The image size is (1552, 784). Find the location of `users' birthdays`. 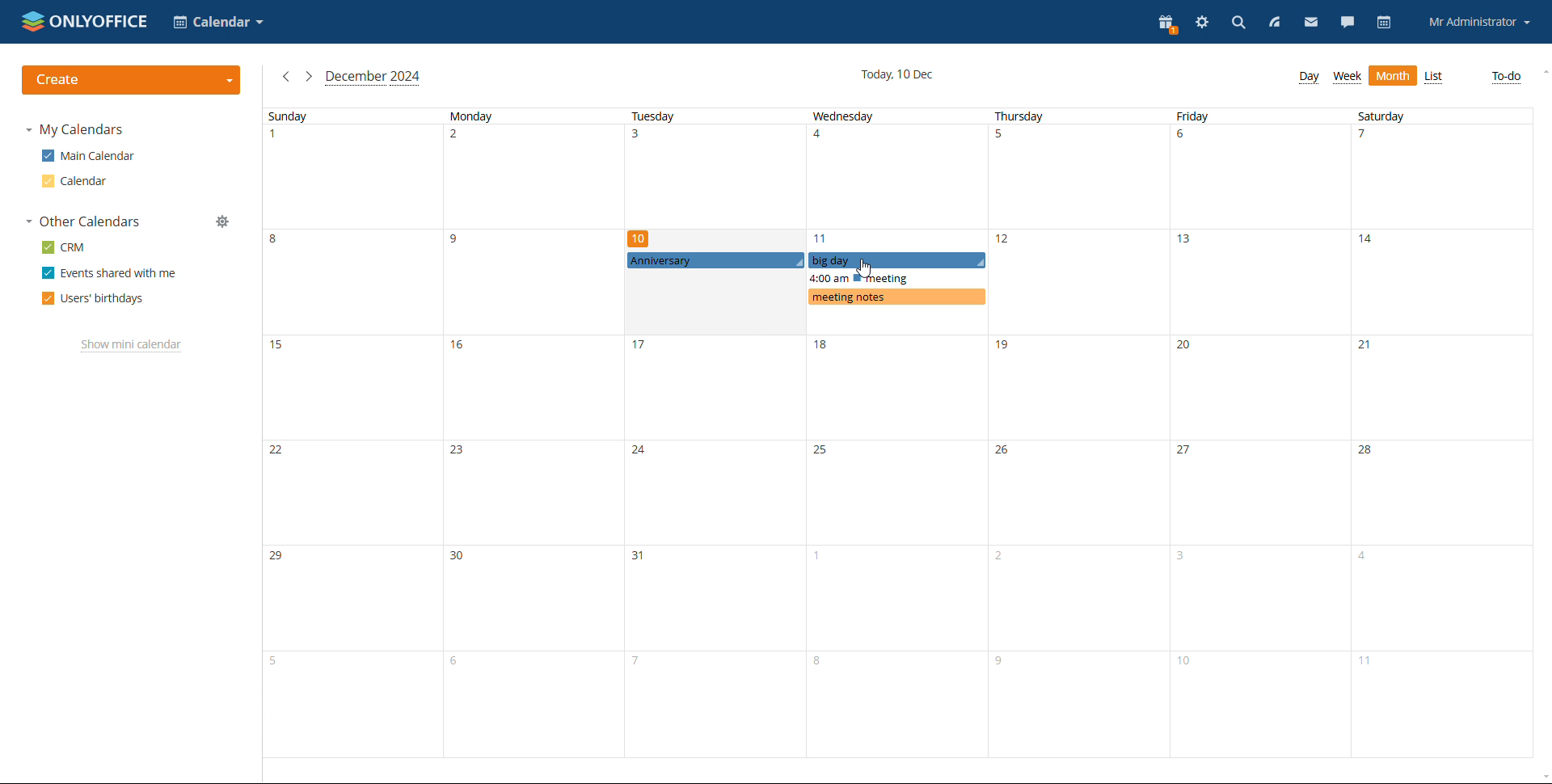

users' birthdays is located at coordinates (92, 299).